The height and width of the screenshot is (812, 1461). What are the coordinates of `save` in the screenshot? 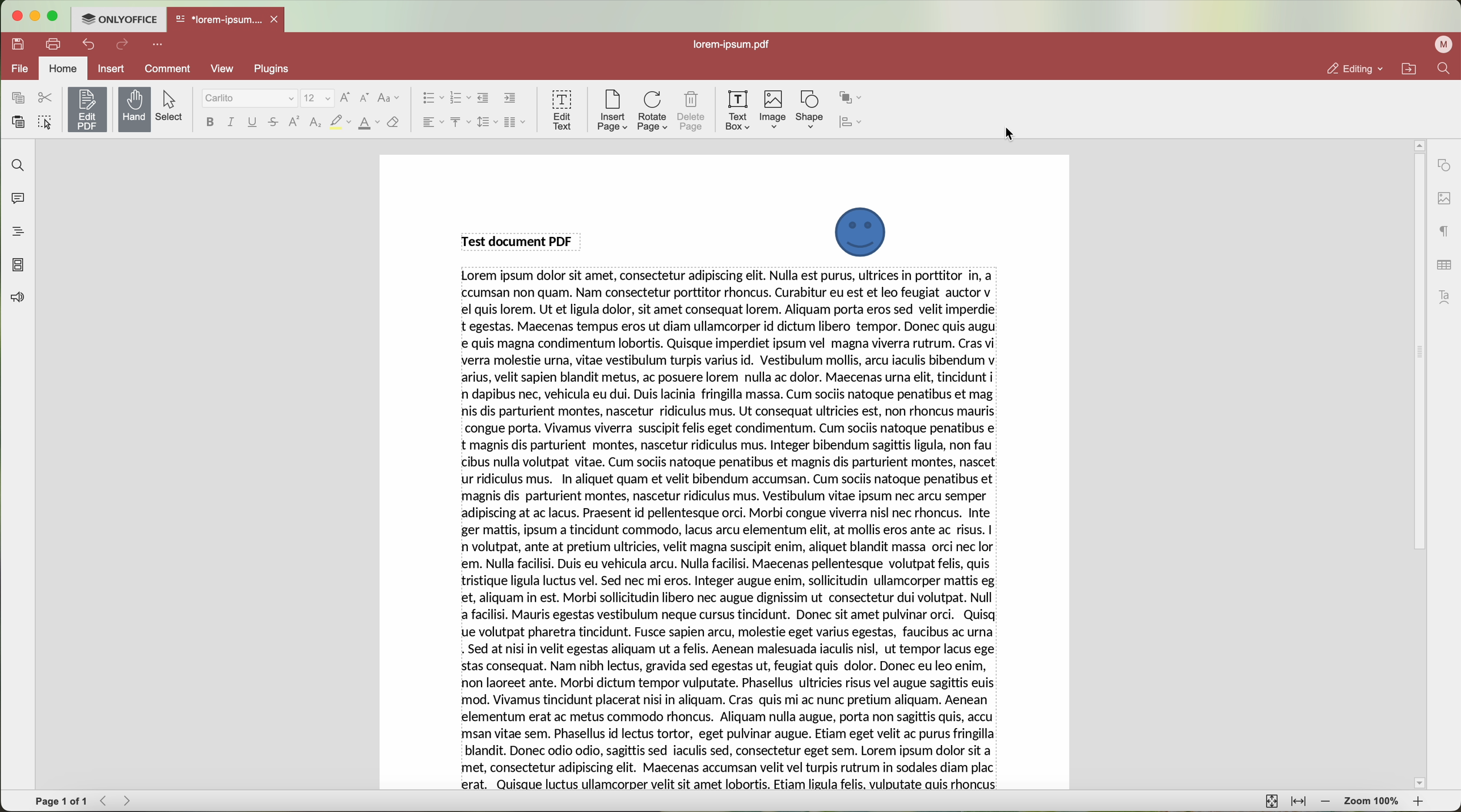 It's located at (19, 43).